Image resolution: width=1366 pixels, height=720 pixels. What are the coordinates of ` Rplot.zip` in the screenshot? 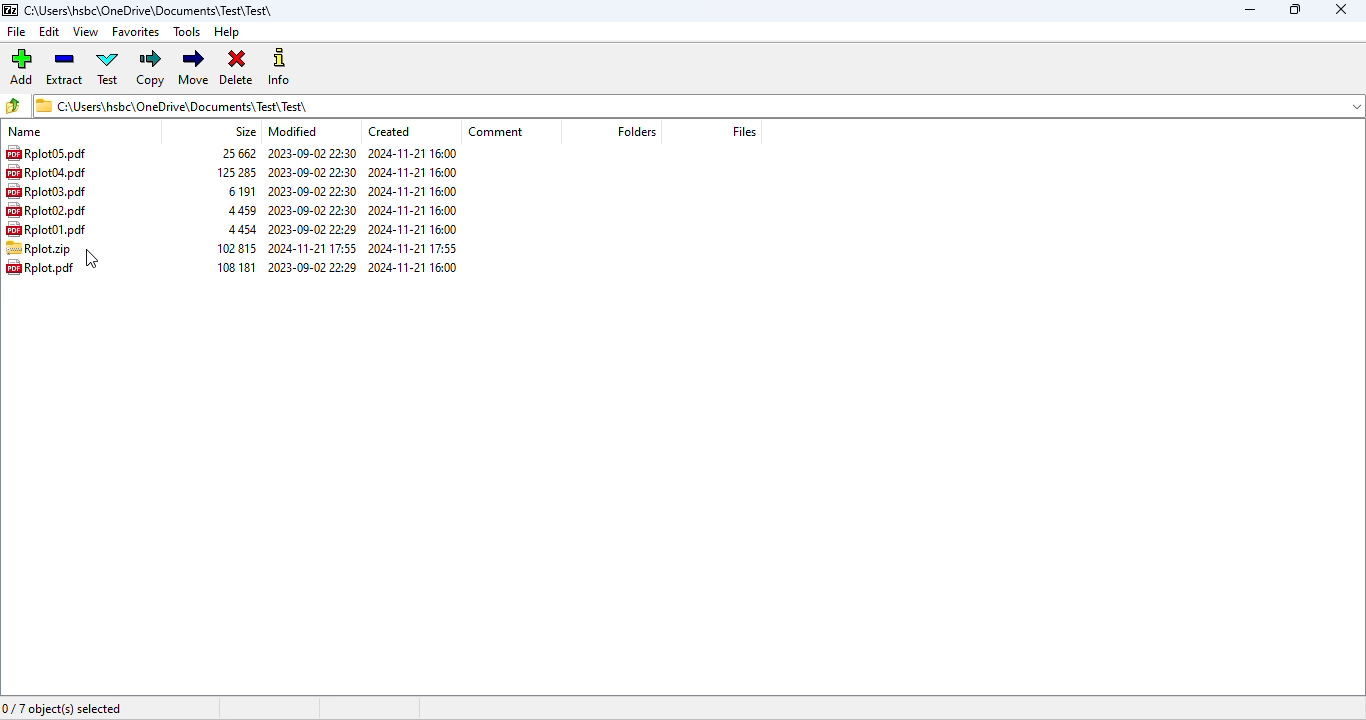 It's located at (38, 249).